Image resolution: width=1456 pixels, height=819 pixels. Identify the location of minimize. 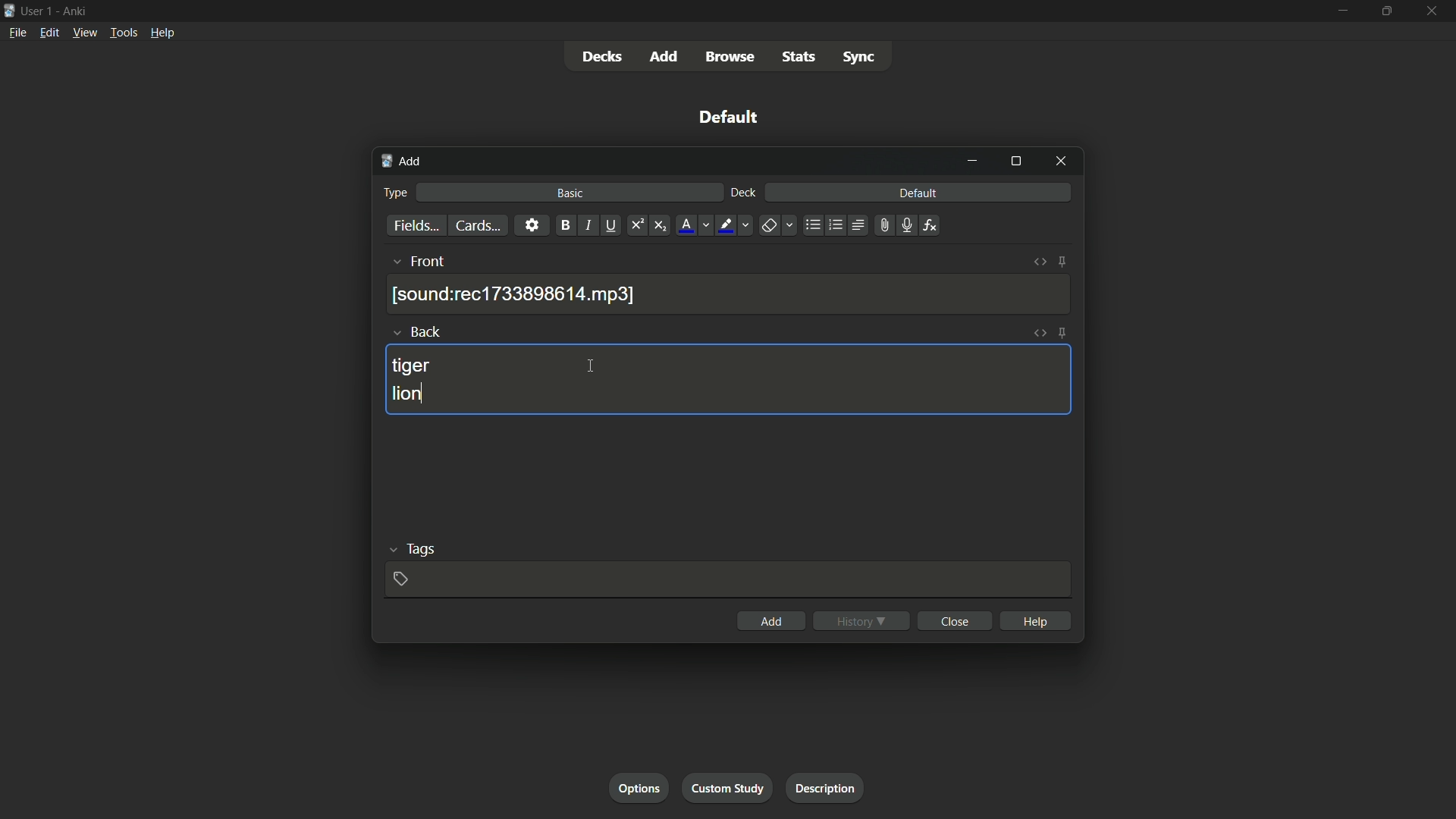
(974, 161).